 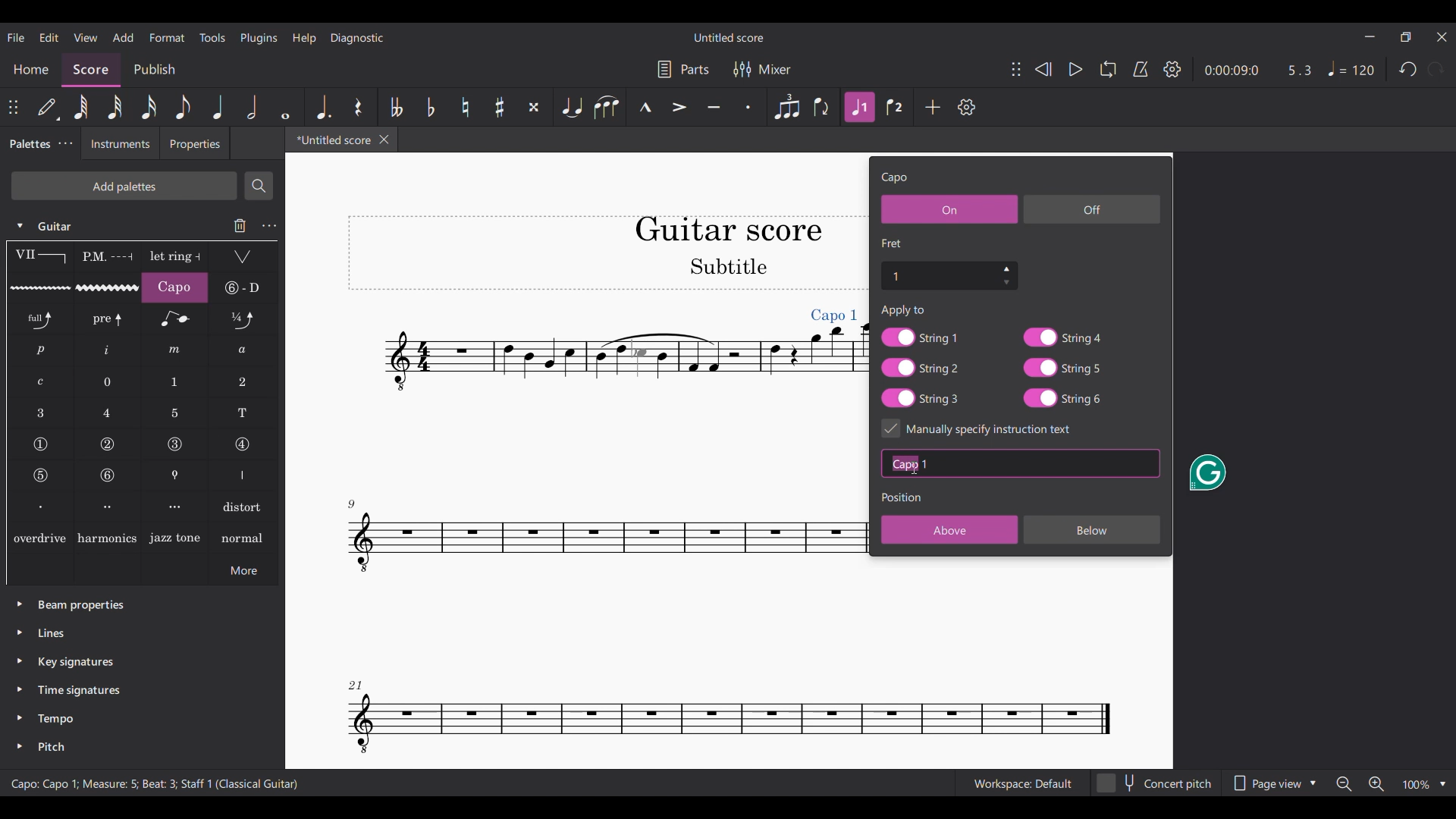 I want to click on Right hand fingering, second finger, so click(x=108, y=507).